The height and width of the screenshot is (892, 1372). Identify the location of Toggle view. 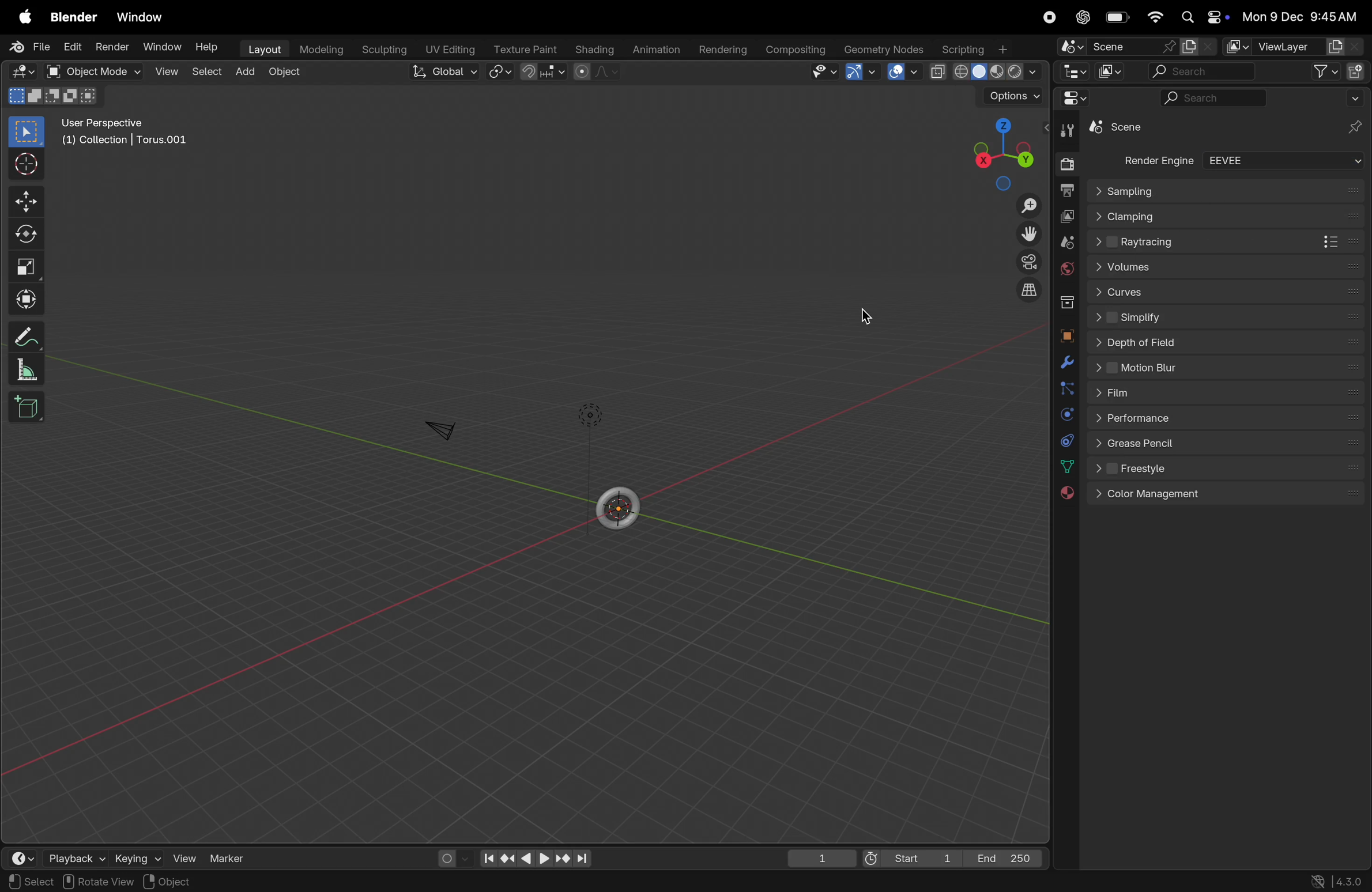
(1027, 233).